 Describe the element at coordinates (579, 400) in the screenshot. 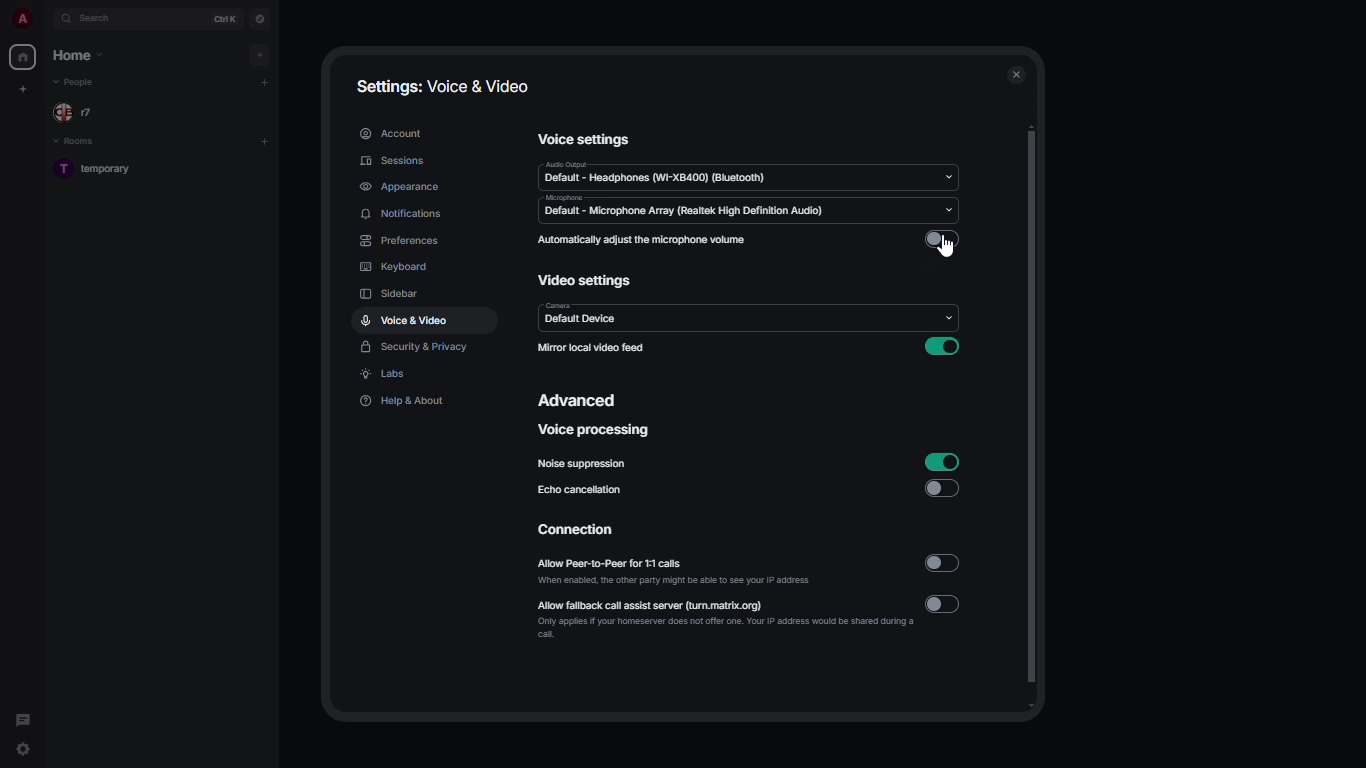

I see `advanced` at that location.